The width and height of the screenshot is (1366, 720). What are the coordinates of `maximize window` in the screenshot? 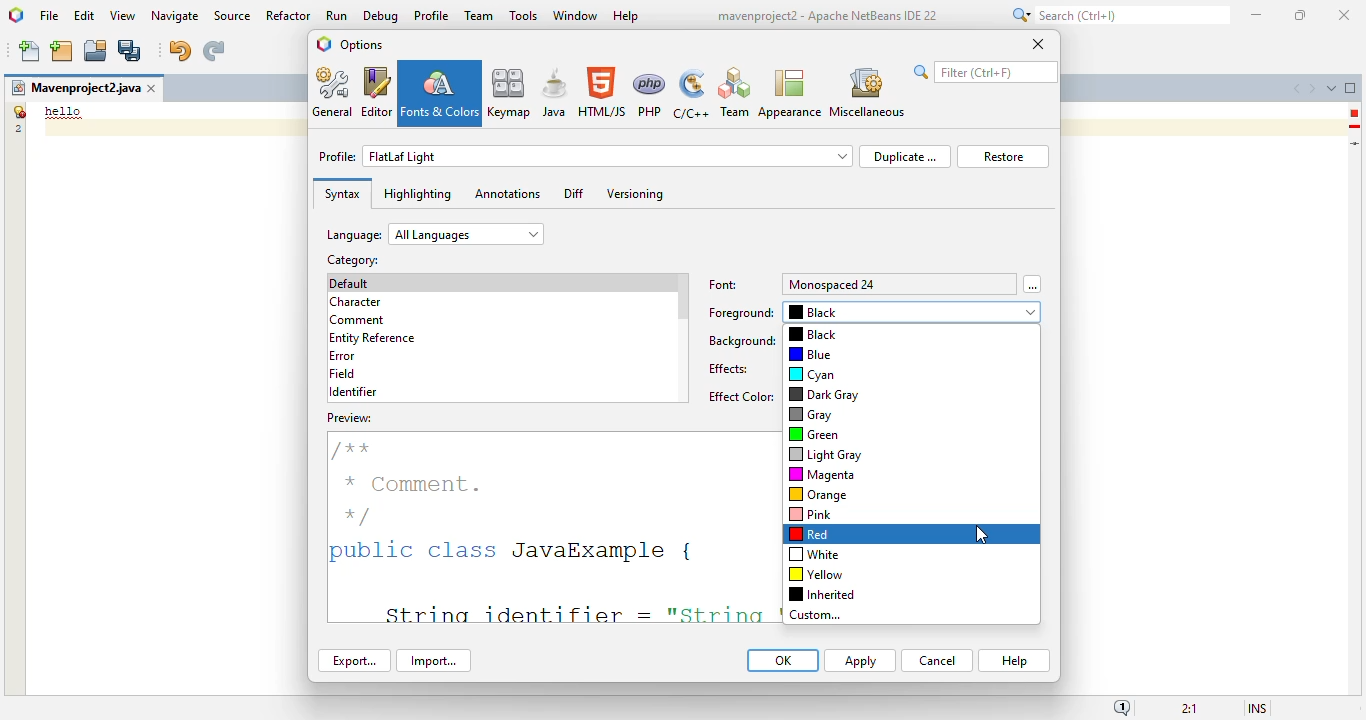 It's located at (1351, 87).